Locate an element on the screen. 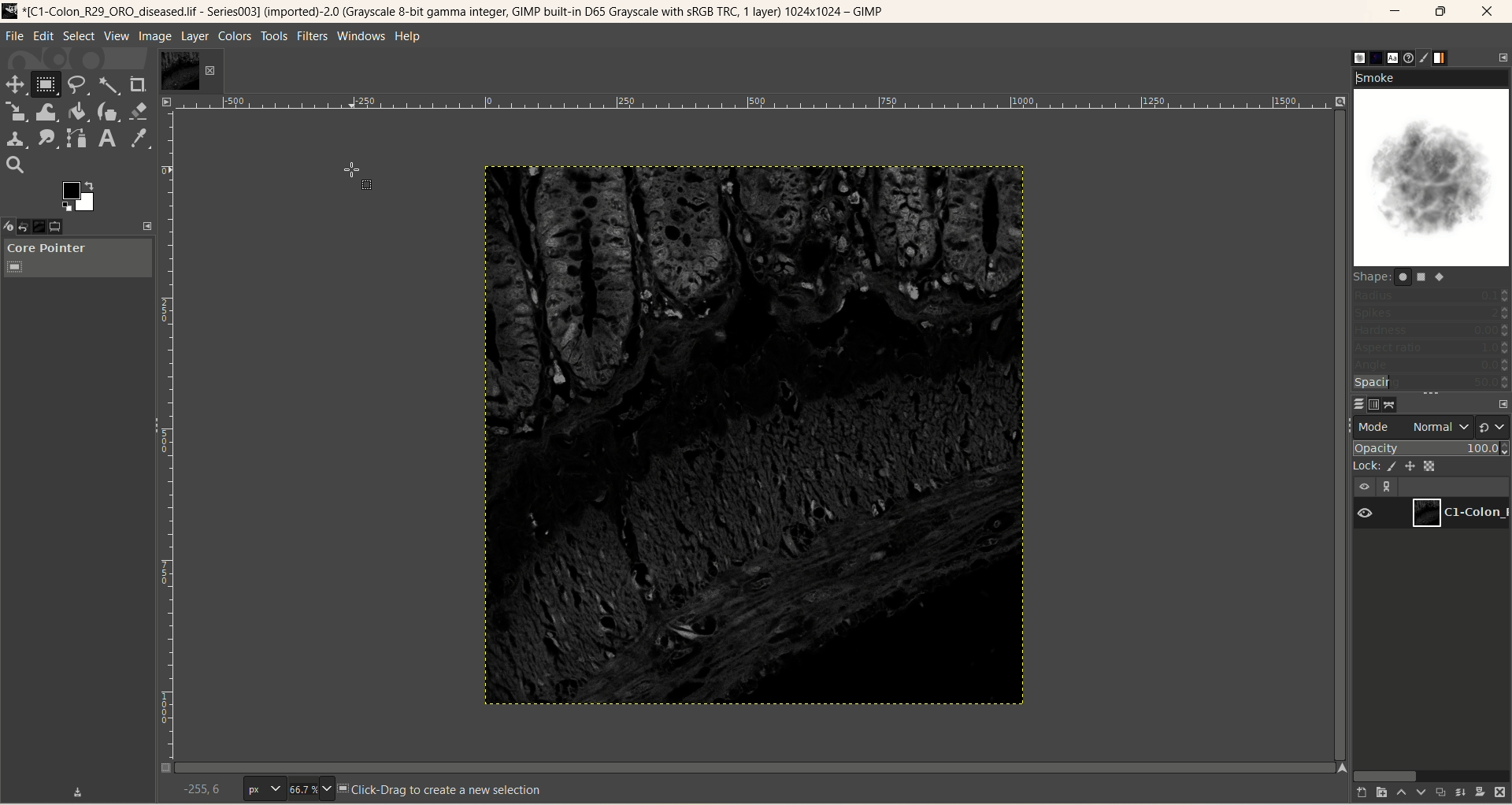 The width and height of the screenshot is (1512, 805). active foreground/background color is located at coordinates (79, 196).